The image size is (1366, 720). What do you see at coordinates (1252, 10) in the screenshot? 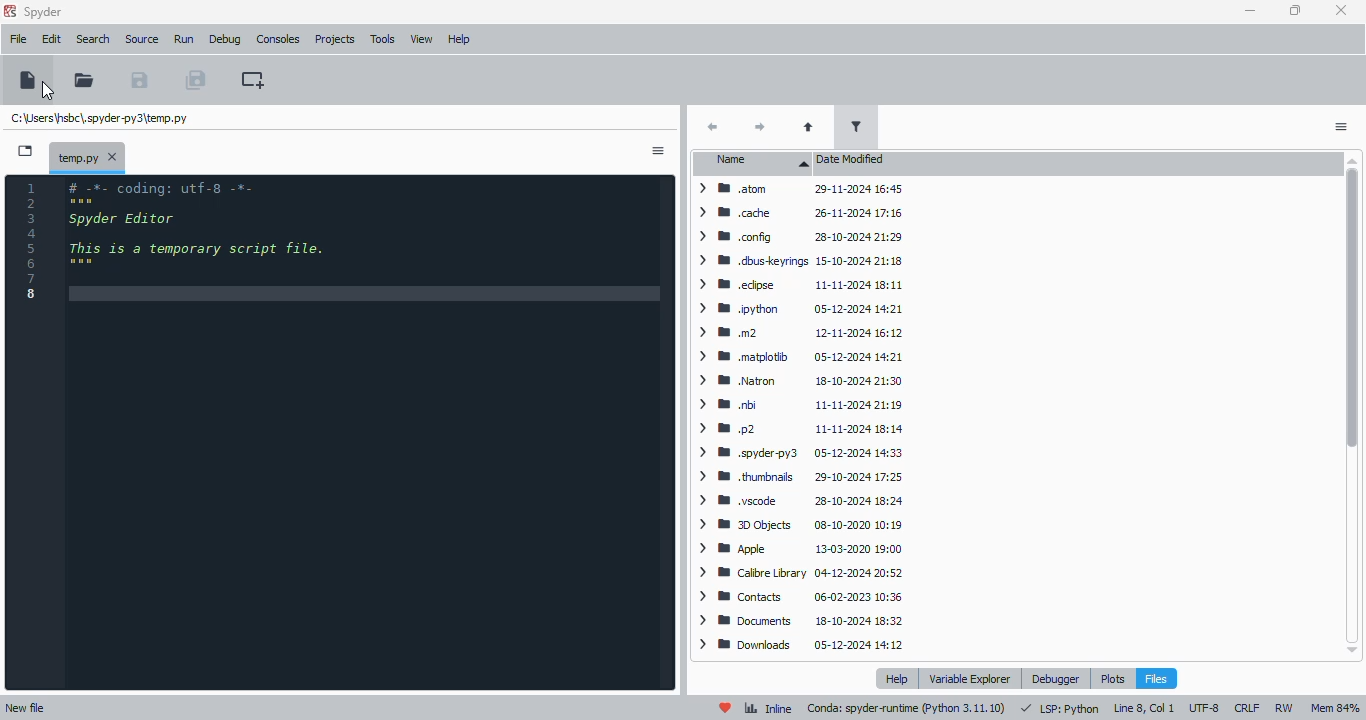
I see `minimize` at bounding box center [1252, 10].